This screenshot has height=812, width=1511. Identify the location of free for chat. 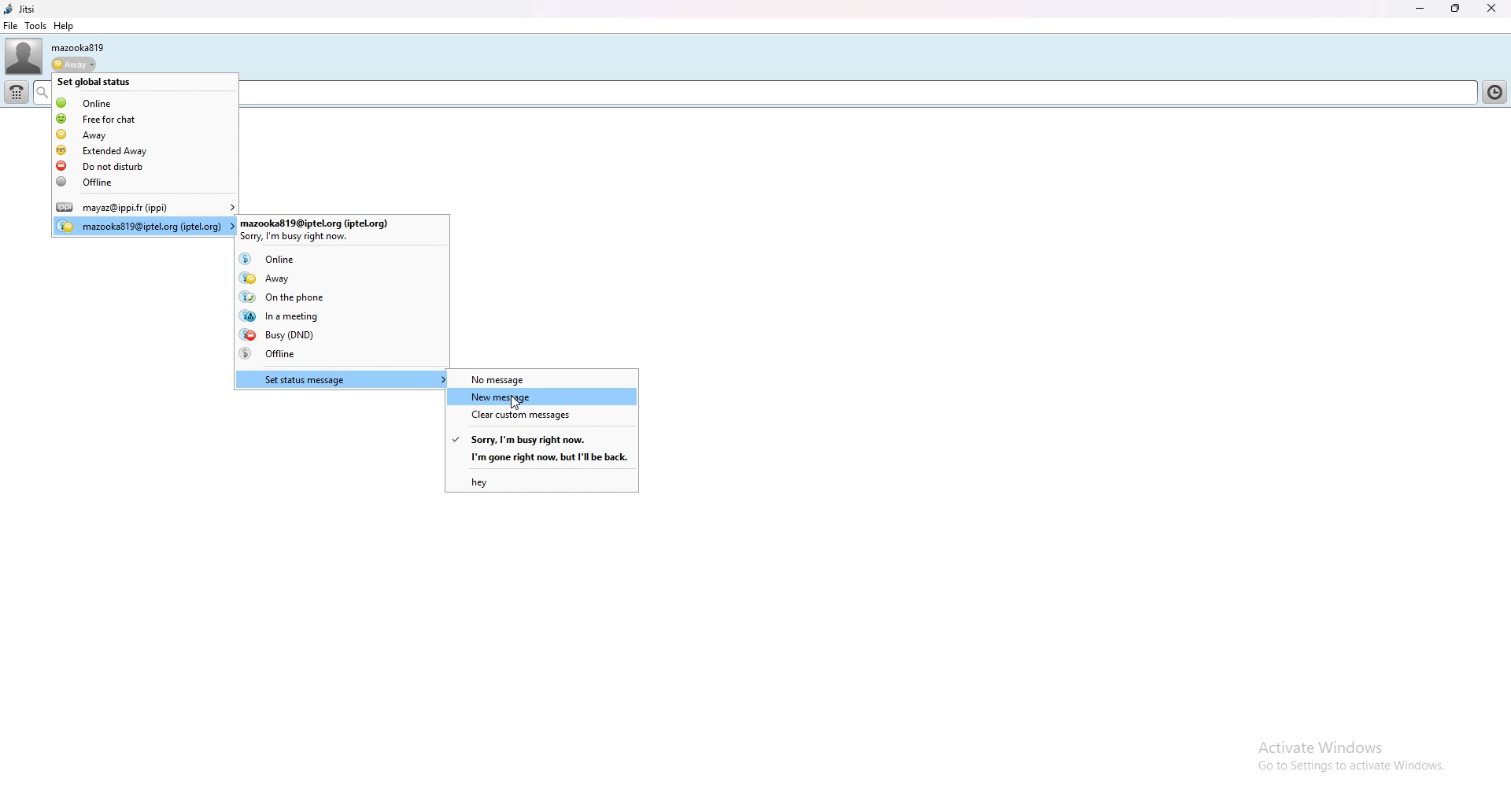
(146, 119).